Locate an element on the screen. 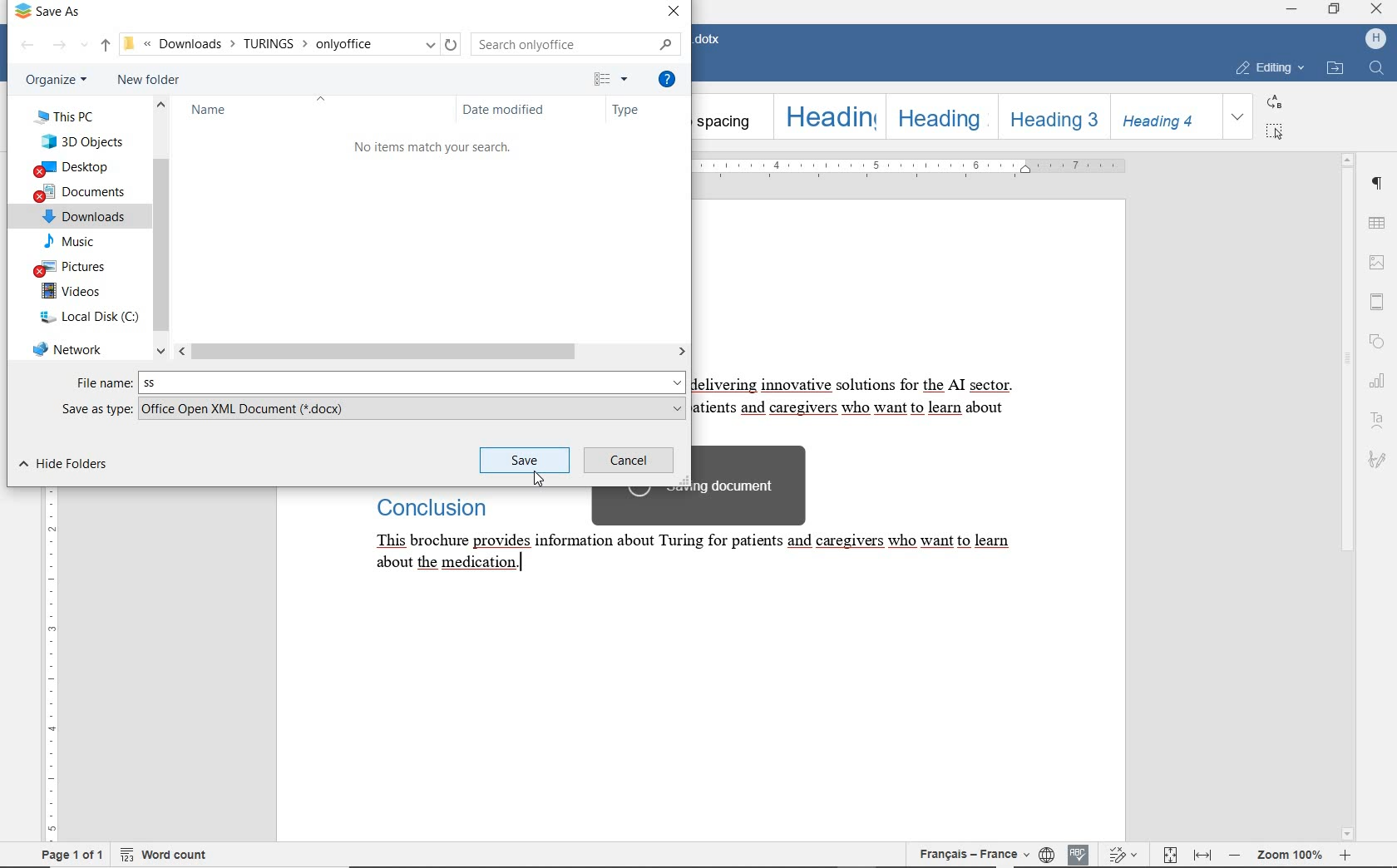  save is located at coordinates (522, 460).